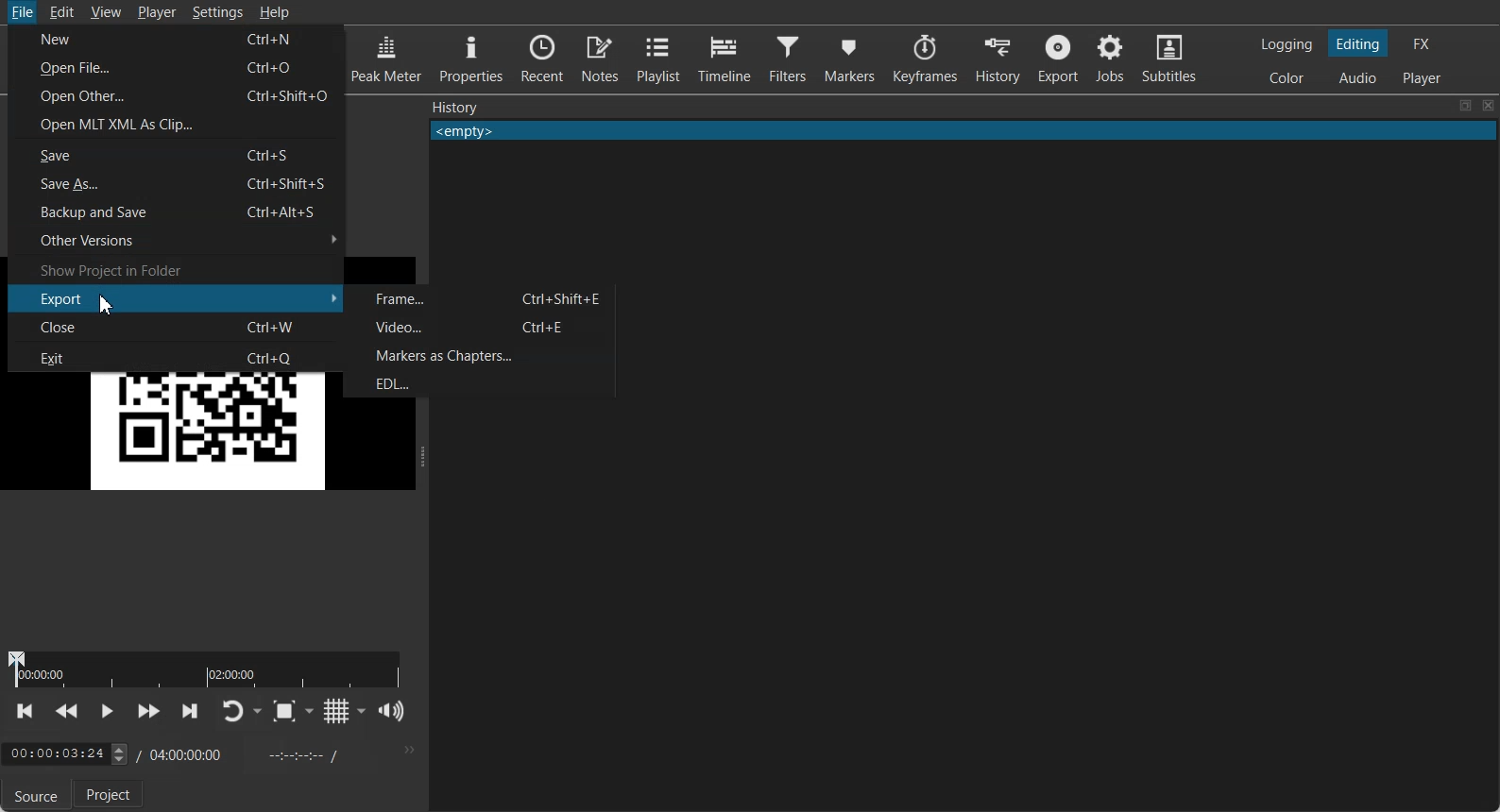  I want to click on Project, so click(111, 795).